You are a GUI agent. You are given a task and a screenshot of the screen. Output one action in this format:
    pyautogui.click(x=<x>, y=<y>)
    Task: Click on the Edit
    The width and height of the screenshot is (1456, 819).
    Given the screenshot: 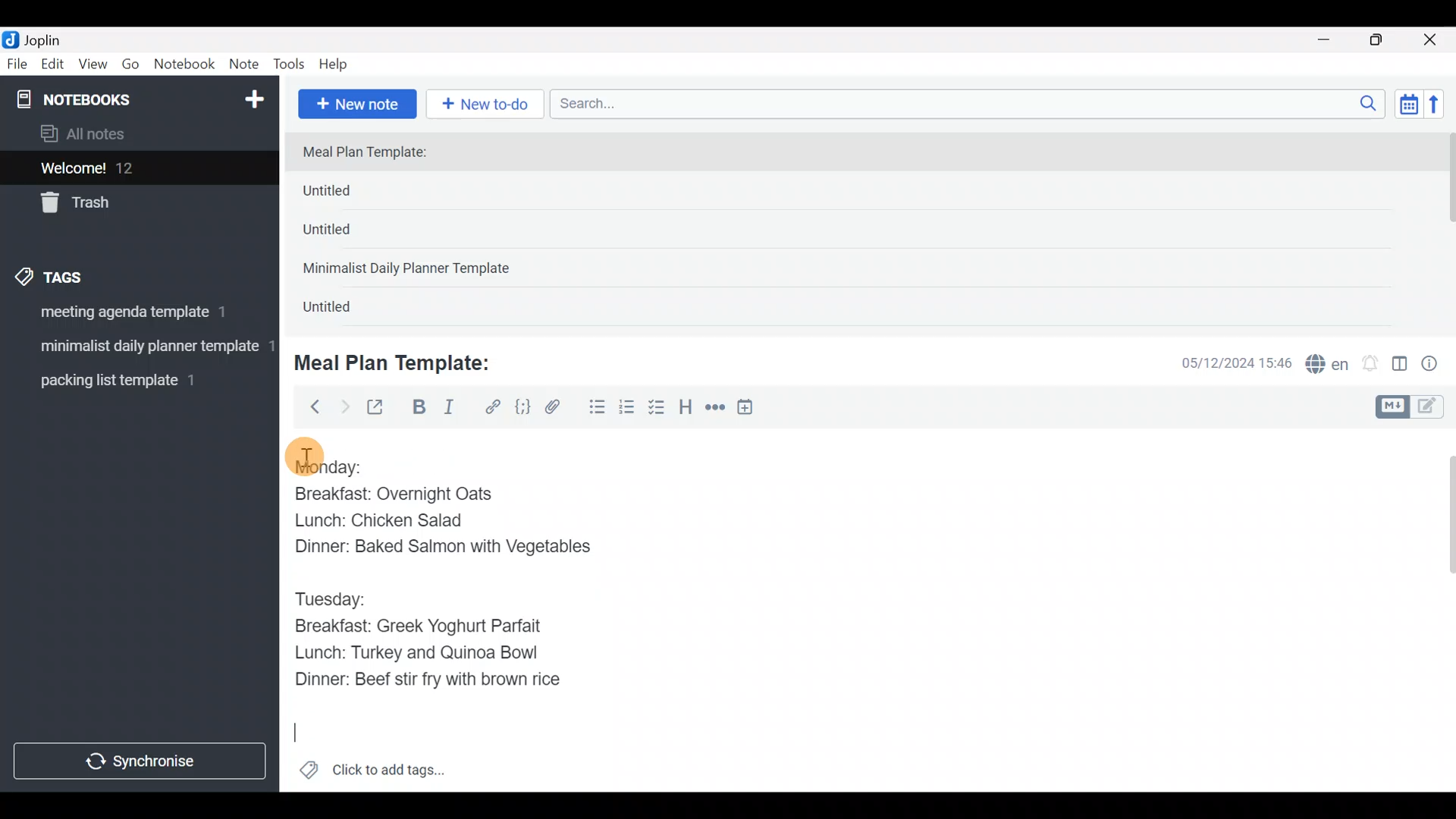 What is the action you would take?
    pyautogui.click(x=53, y=67)
    